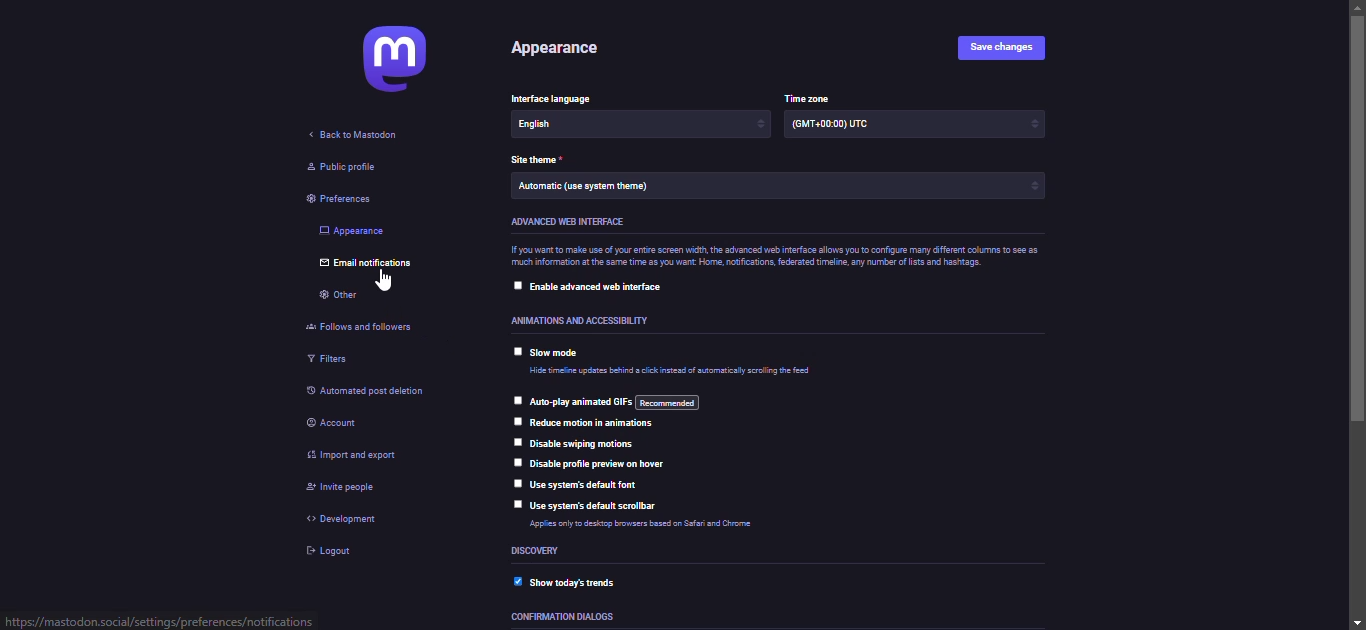 The image size is (1366, 630). I want to click on automated post deletion, so click(383, 393).